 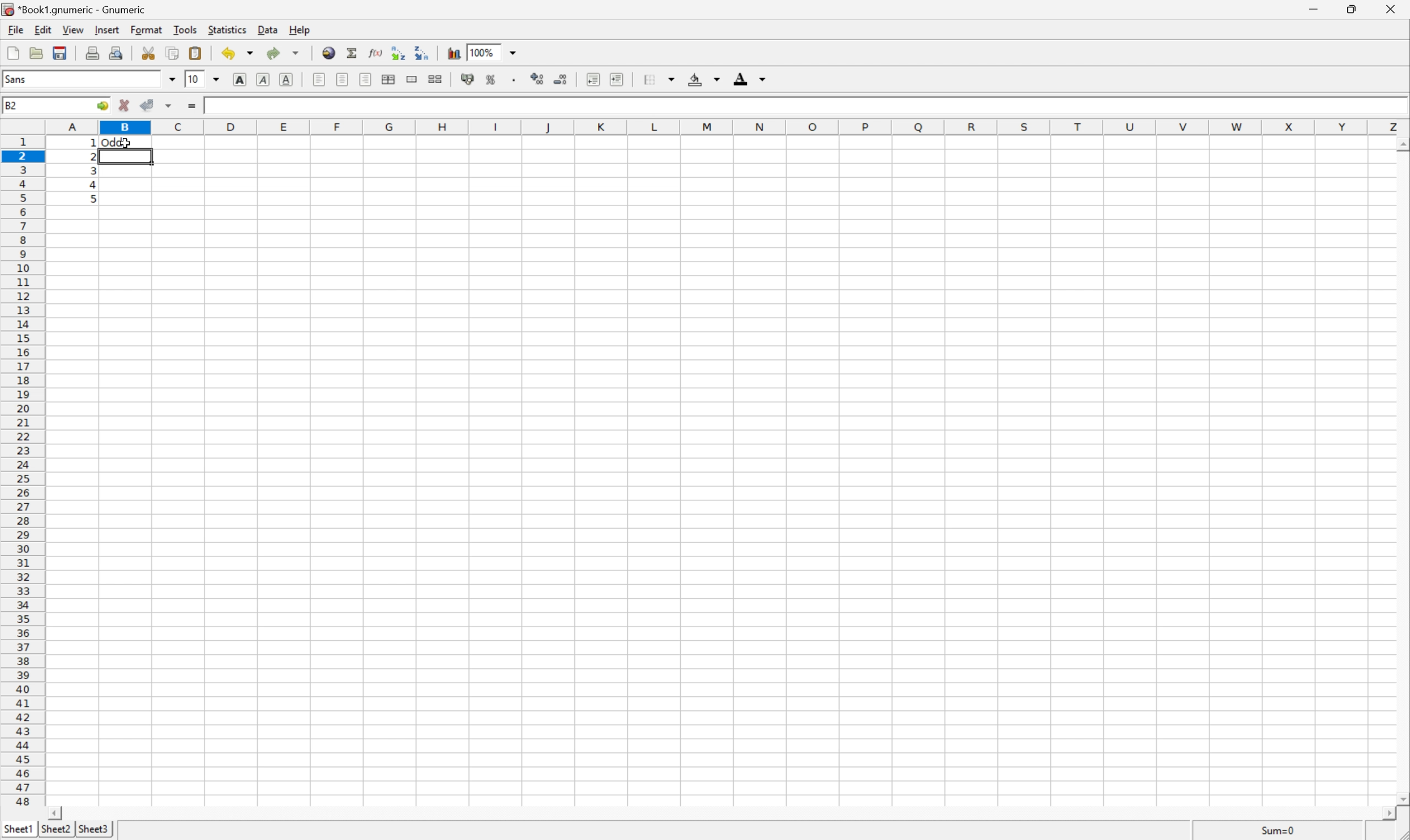 I want to click on Statistics, so click(x=227, y=29).